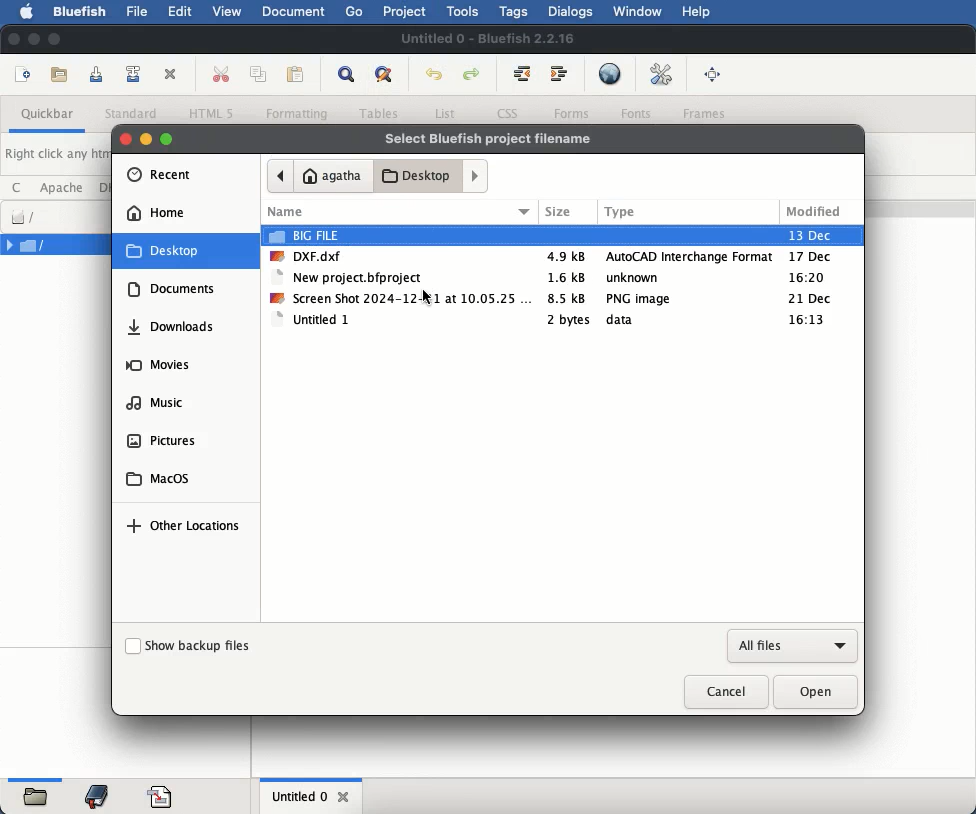  What do you see at coordinates (814, 256) in the screenshot?
I see `17 Dec` at bounding box center [814, 256].